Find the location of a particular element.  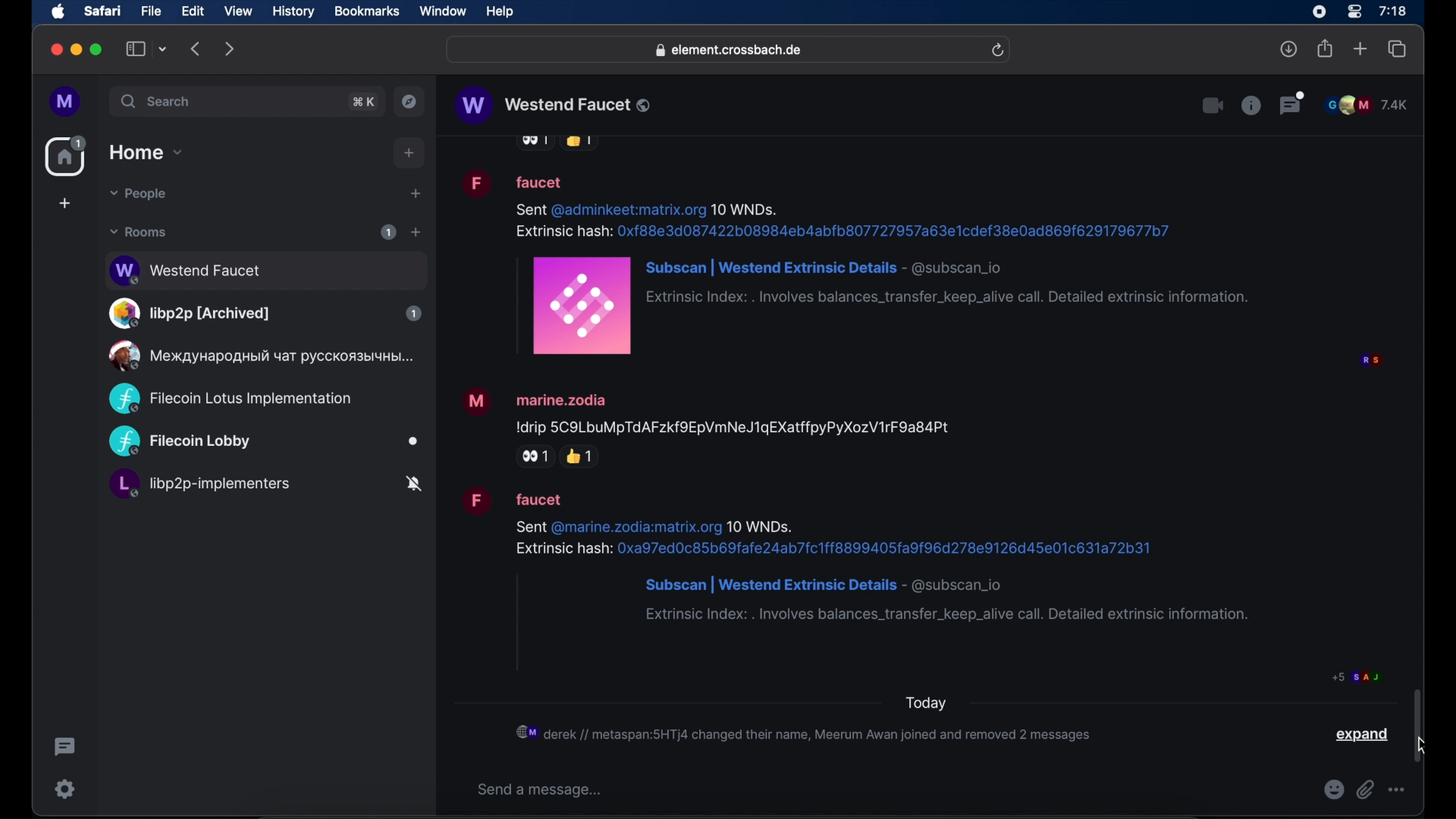

scroll box is located at coordinates (1417, 725).